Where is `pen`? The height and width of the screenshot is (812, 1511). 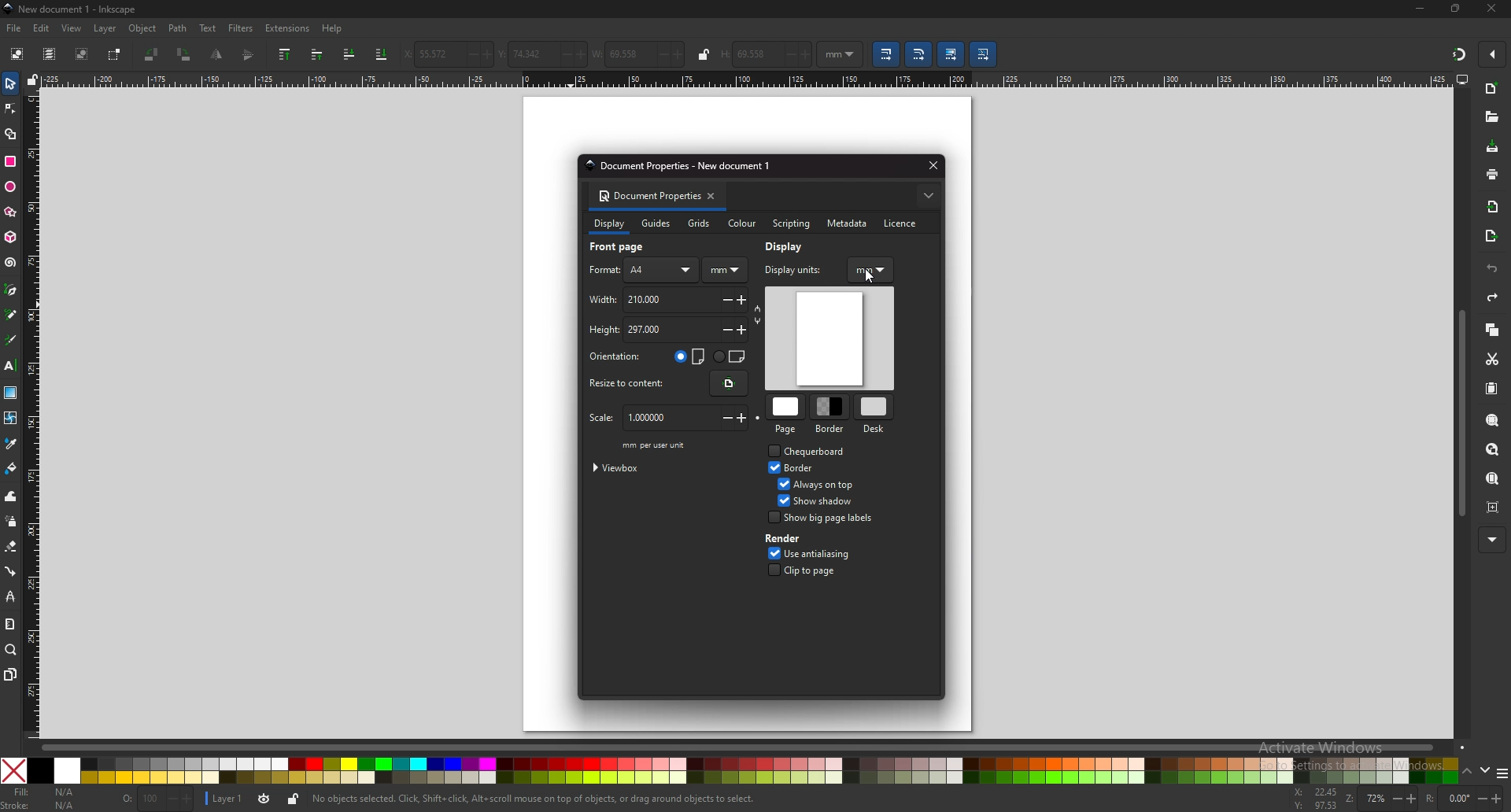 pen is located at coordinates (11, 290).